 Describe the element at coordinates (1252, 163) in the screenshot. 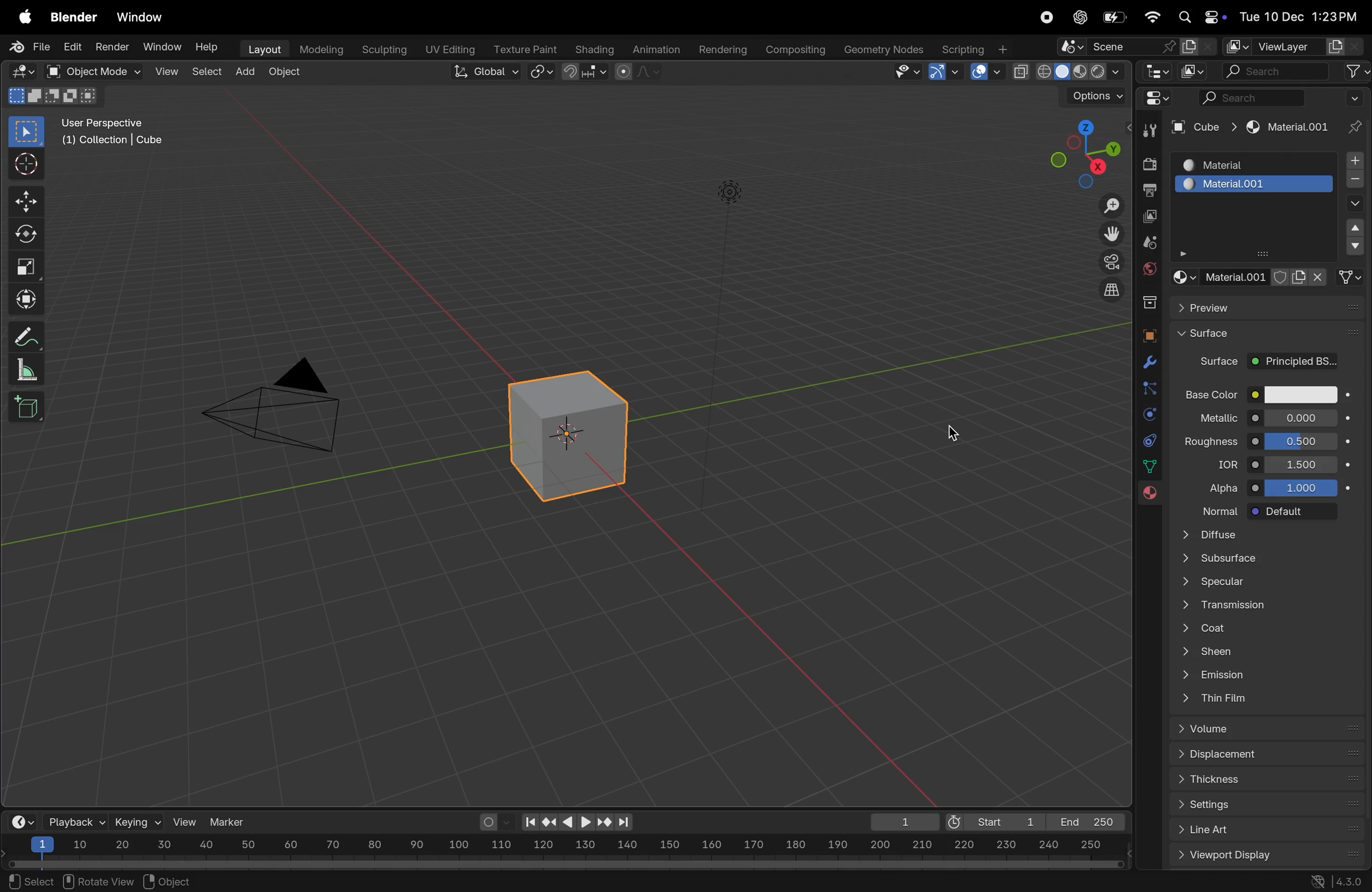

I see `material` at that location.